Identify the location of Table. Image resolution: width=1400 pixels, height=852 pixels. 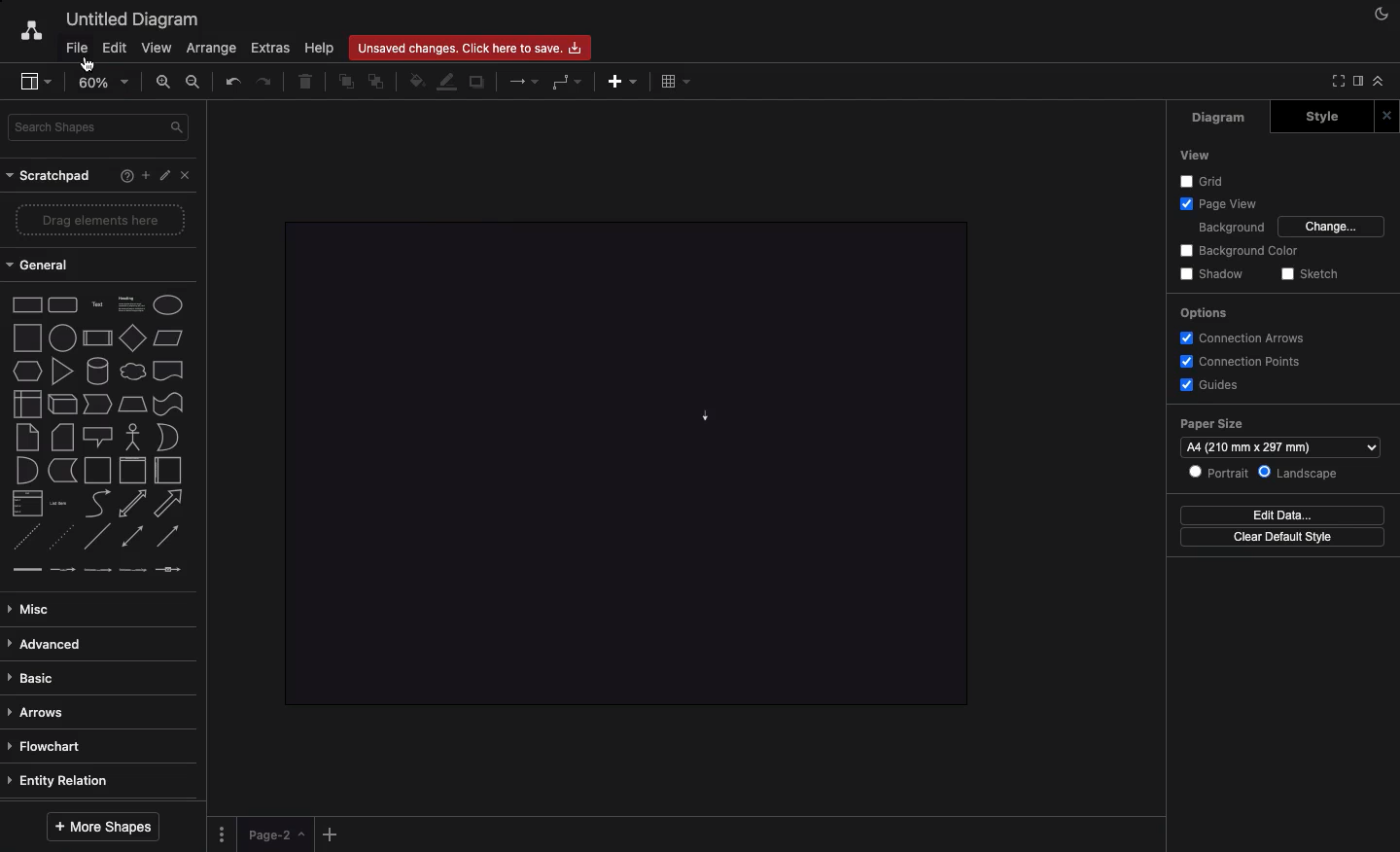
(678, 81).